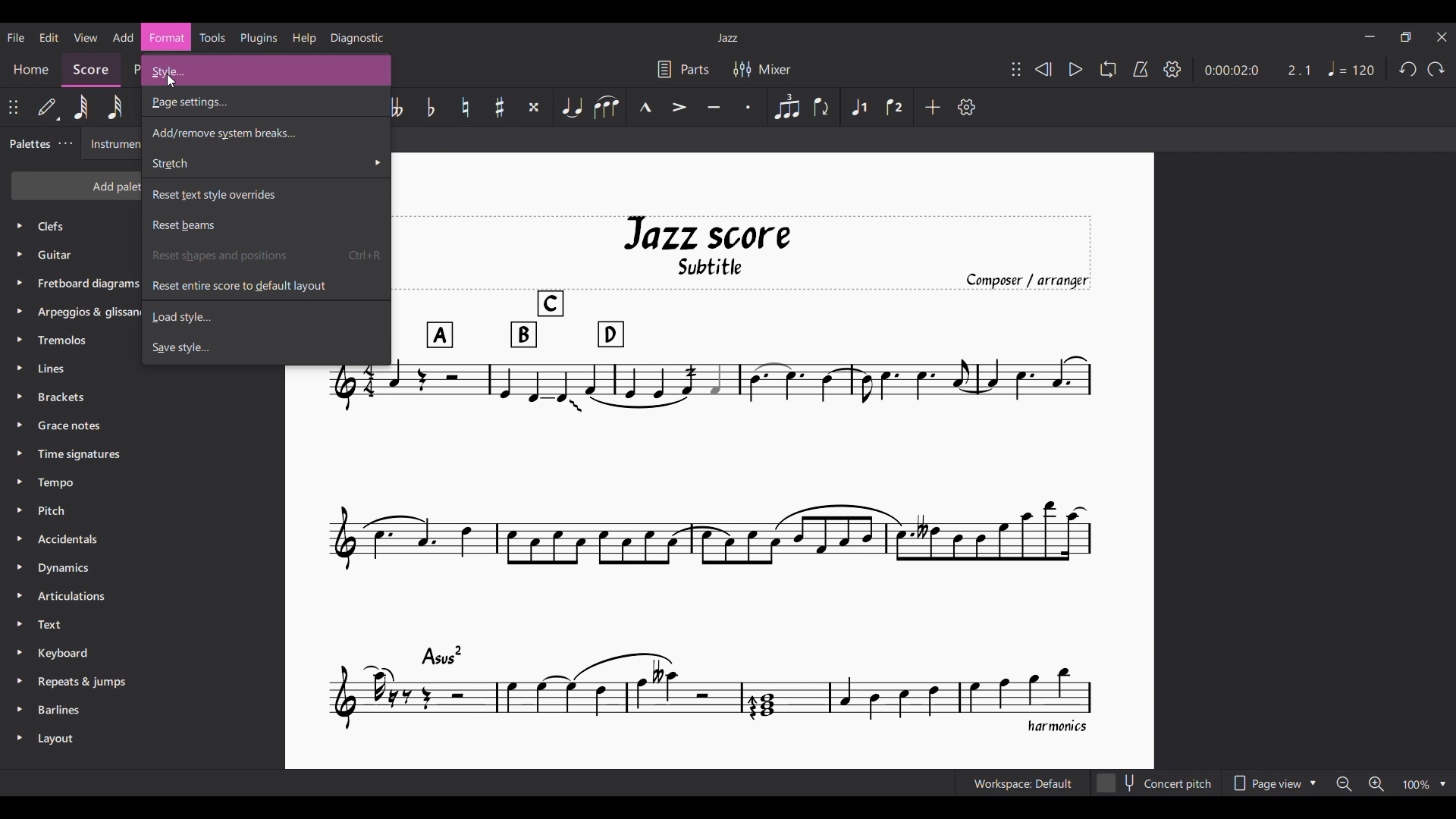  I want to click on Reset text style overrides, so click(267, 193).